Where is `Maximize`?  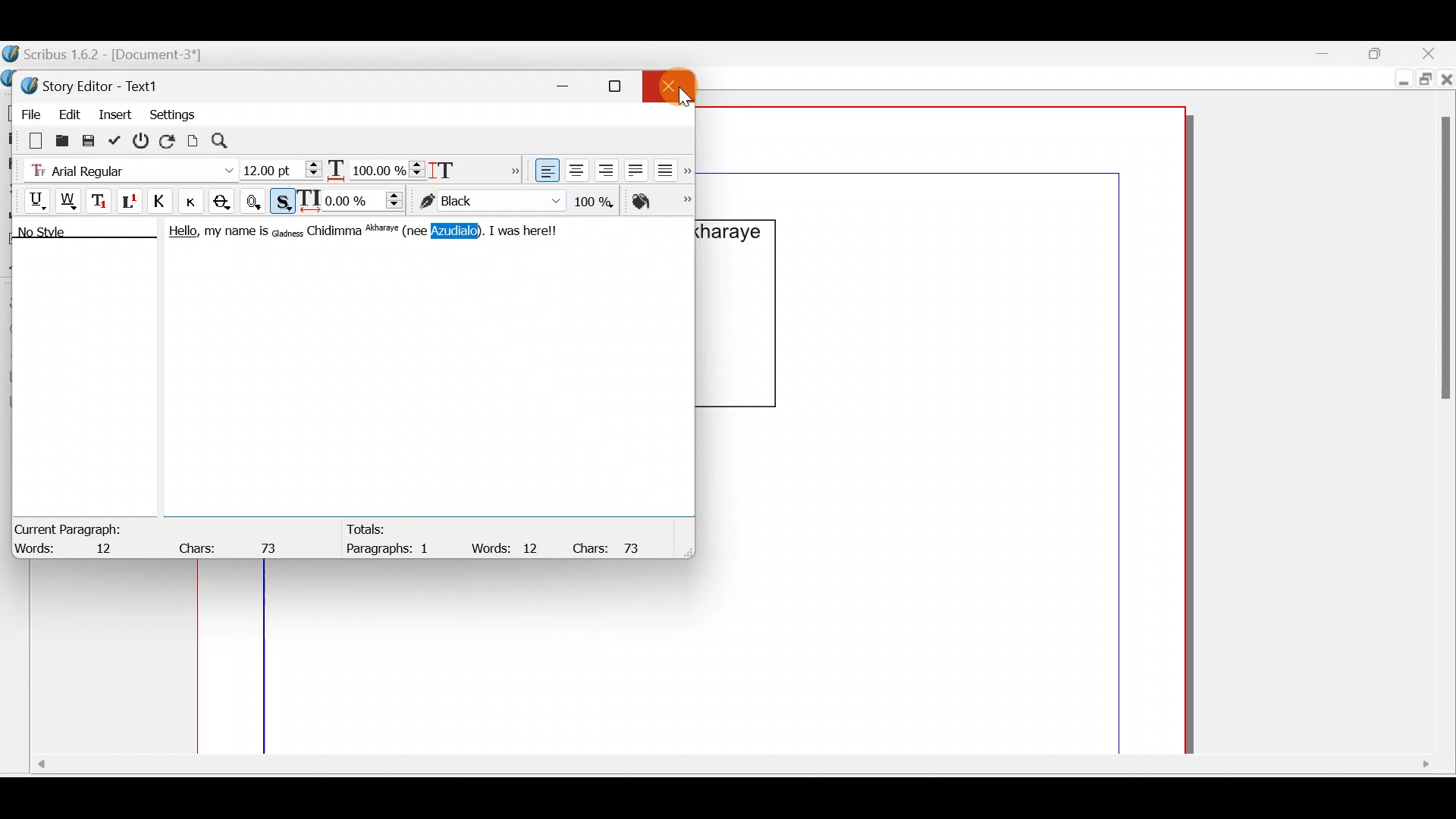
Maximize is located at coordinates (624, 86).